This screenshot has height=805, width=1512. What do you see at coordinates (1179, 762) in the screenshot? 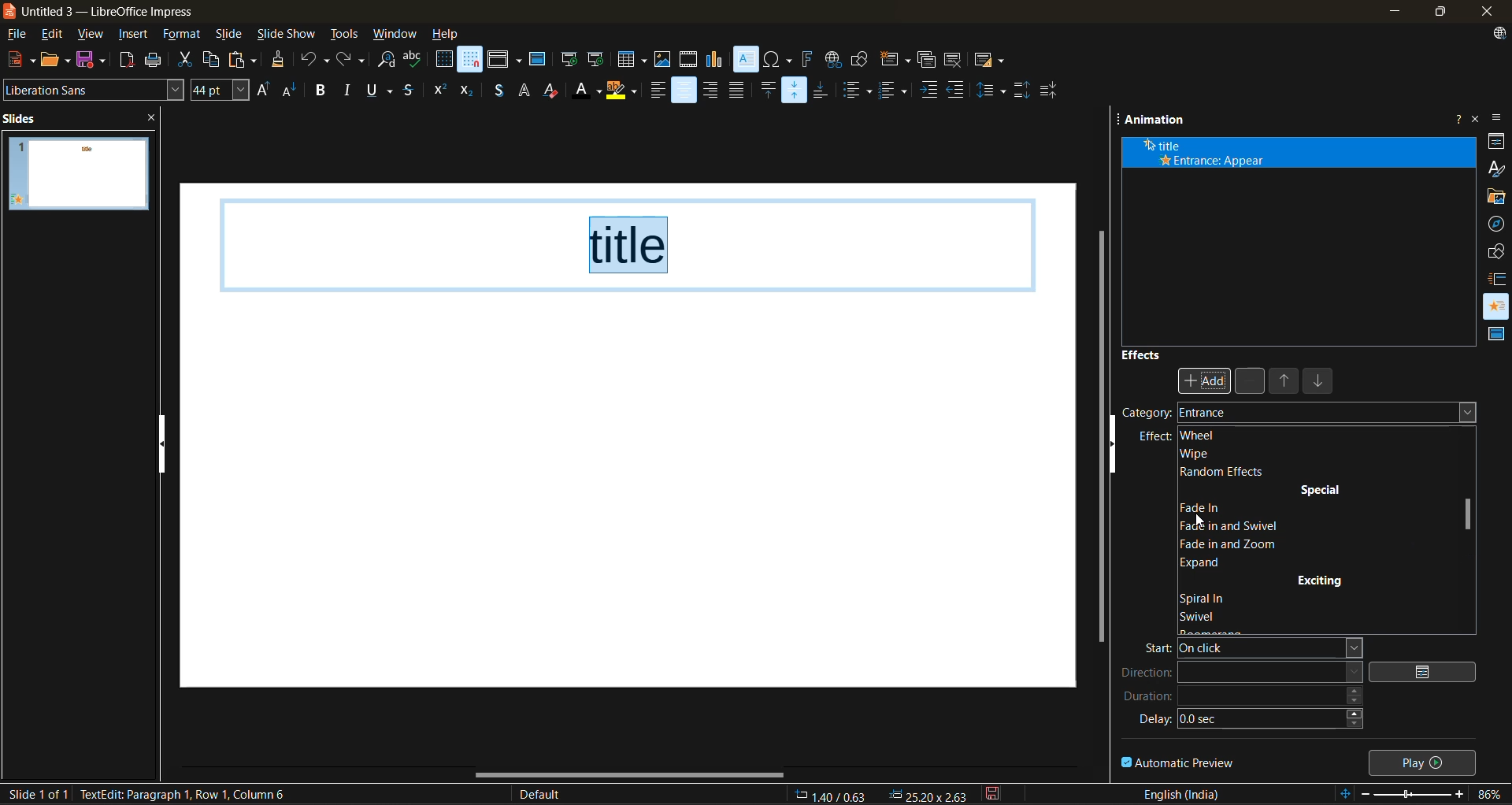
I see `automatic preview` at bounding box center [1179, 762].